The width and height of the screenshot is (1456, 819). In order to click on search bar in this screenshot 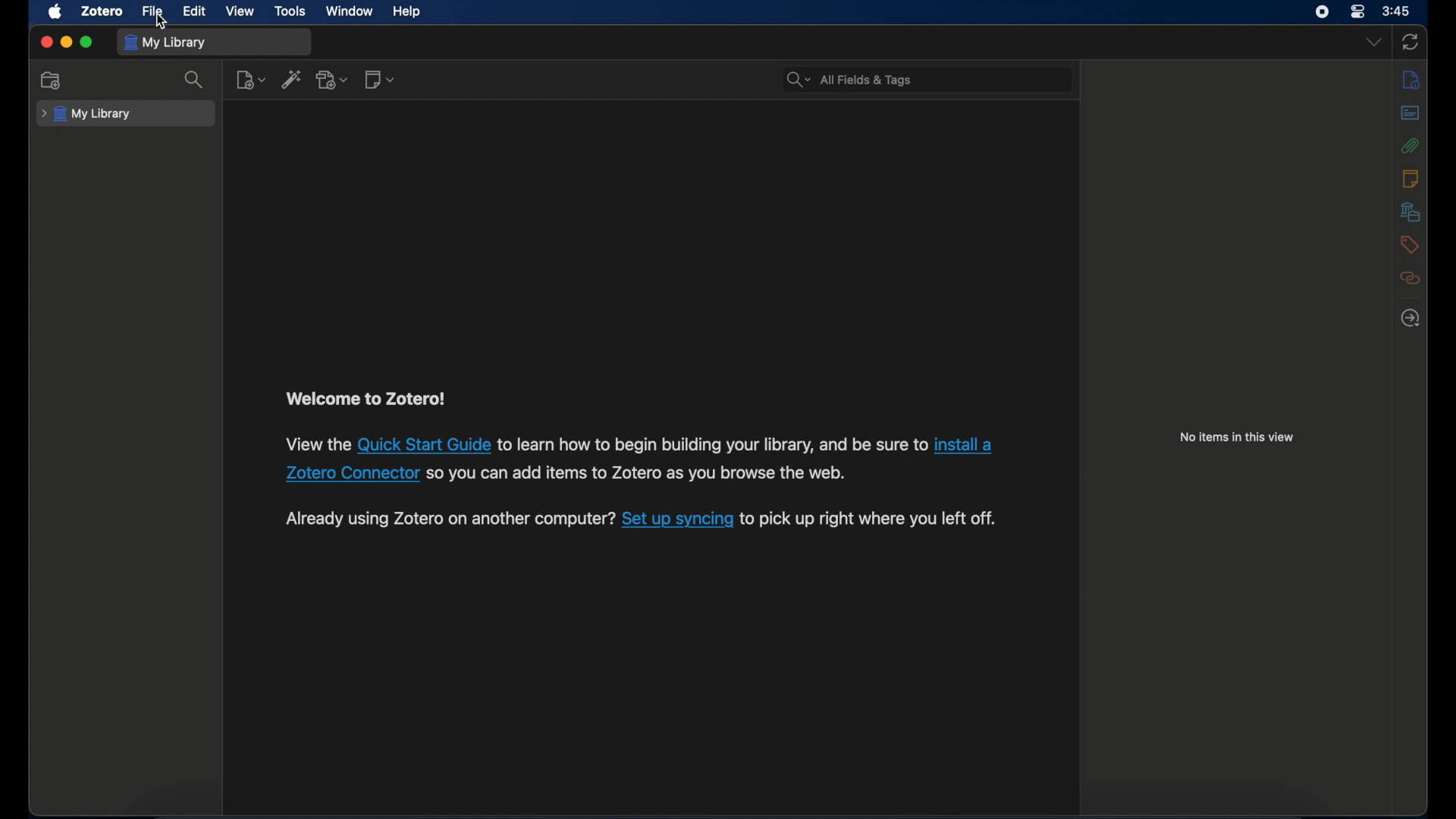, I will do `click(848, 79)`.